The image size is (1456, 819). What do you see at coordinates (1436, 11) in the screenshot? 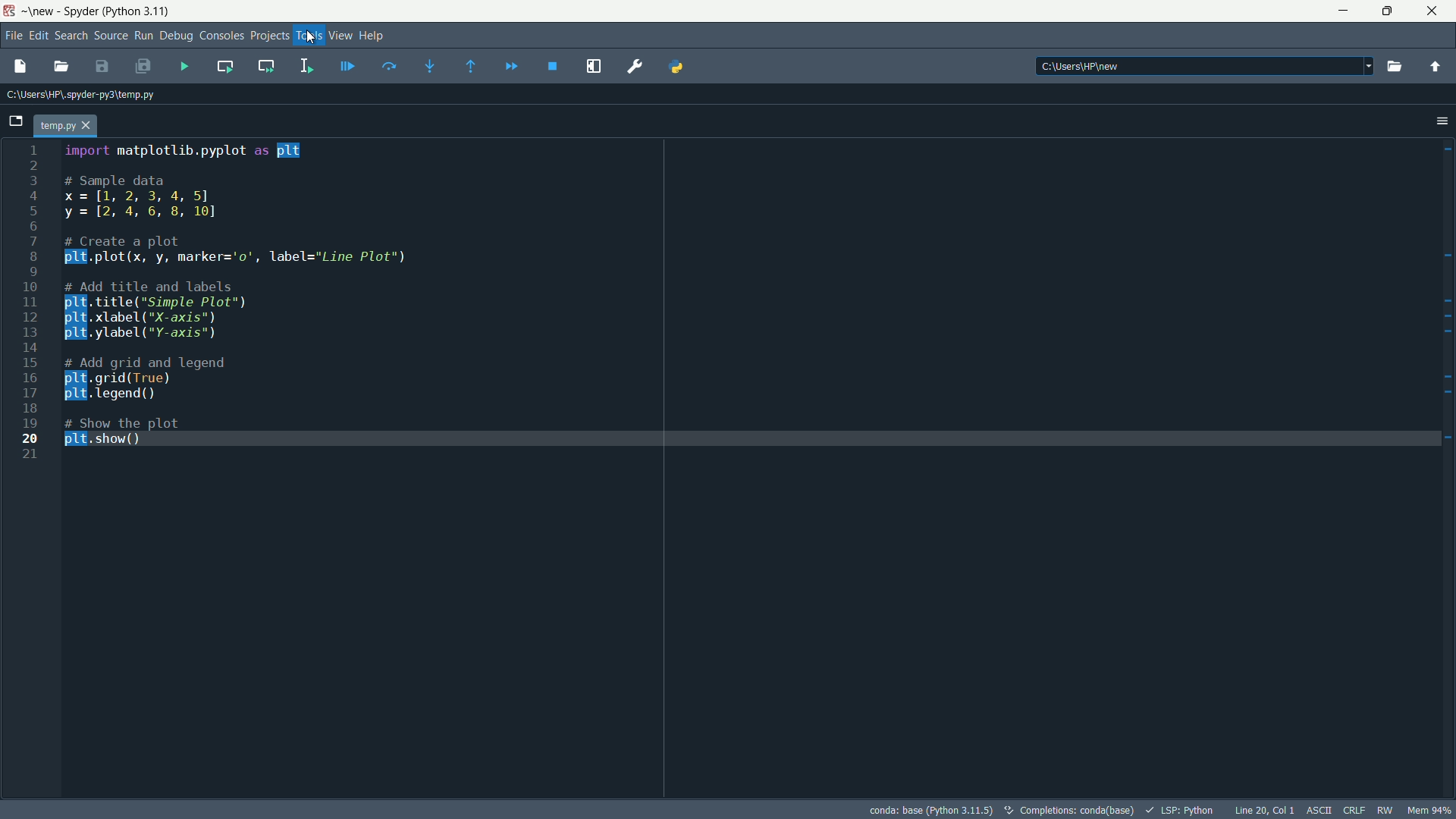
I see `close app` at bounding box center [1436, 11].